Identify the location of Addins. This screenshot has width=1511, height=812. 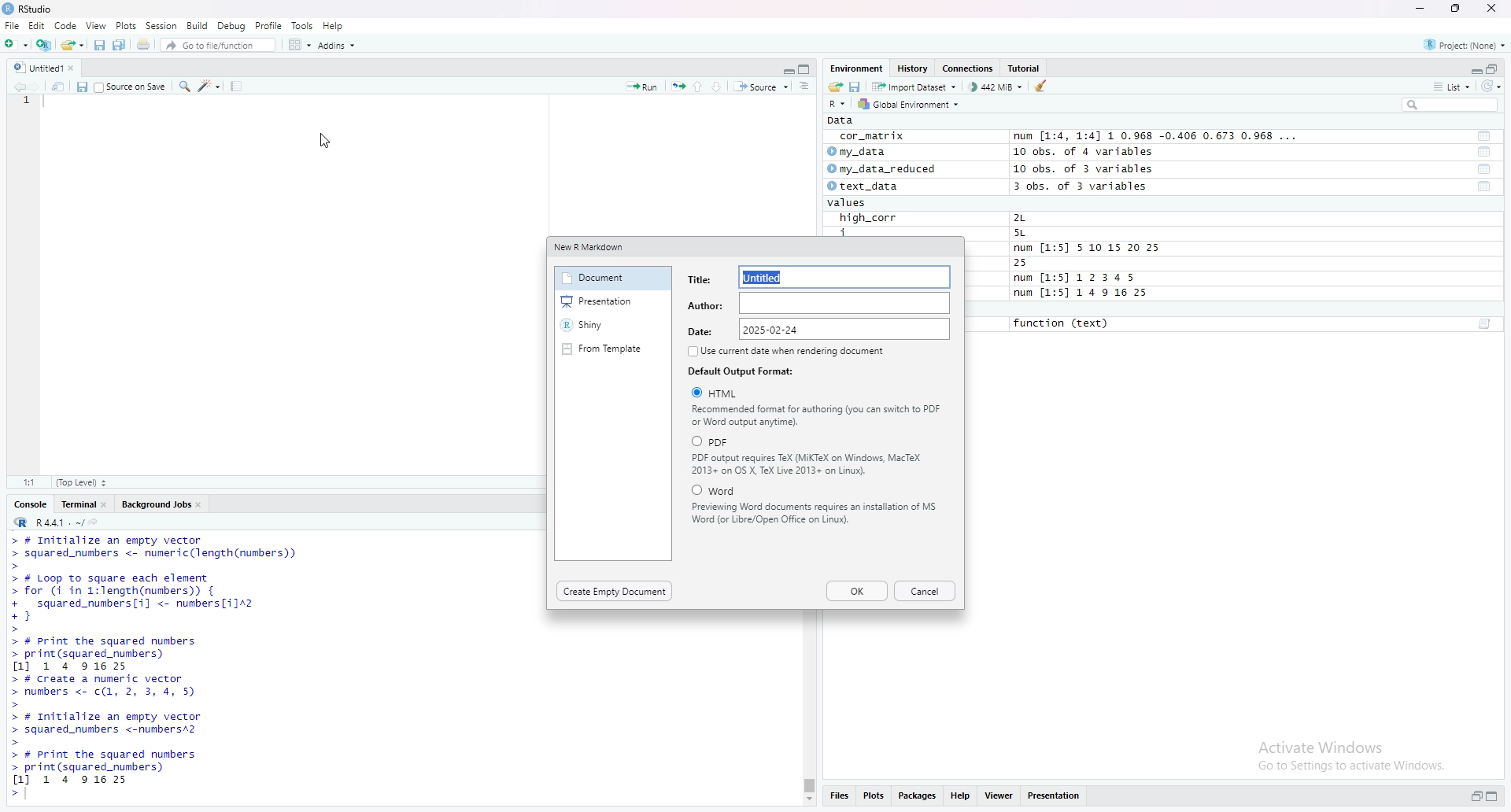
(338, 44).